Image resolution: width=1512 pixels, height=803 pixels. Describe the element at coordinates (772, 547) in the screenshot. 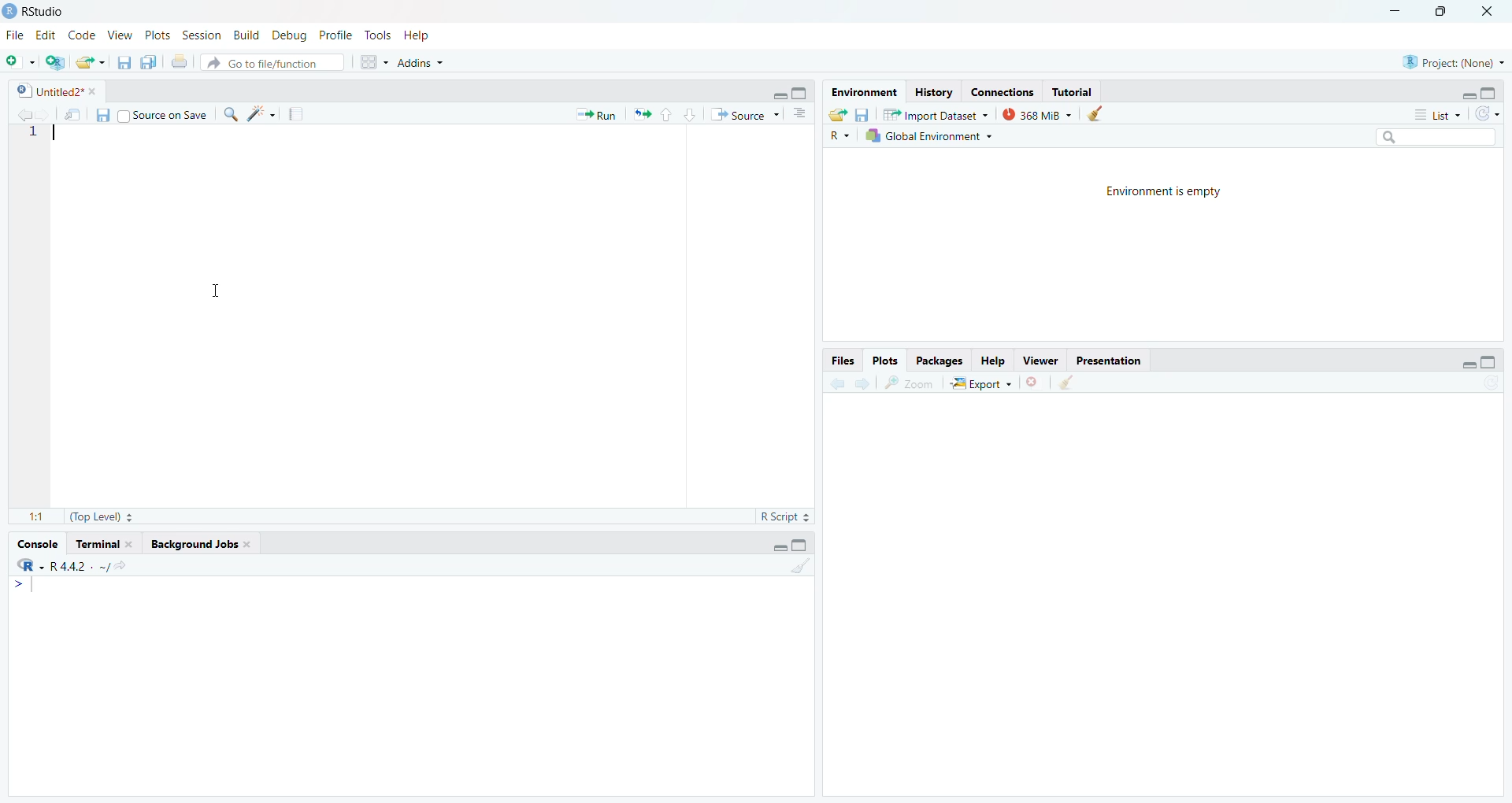

I see `minimise` at that location.